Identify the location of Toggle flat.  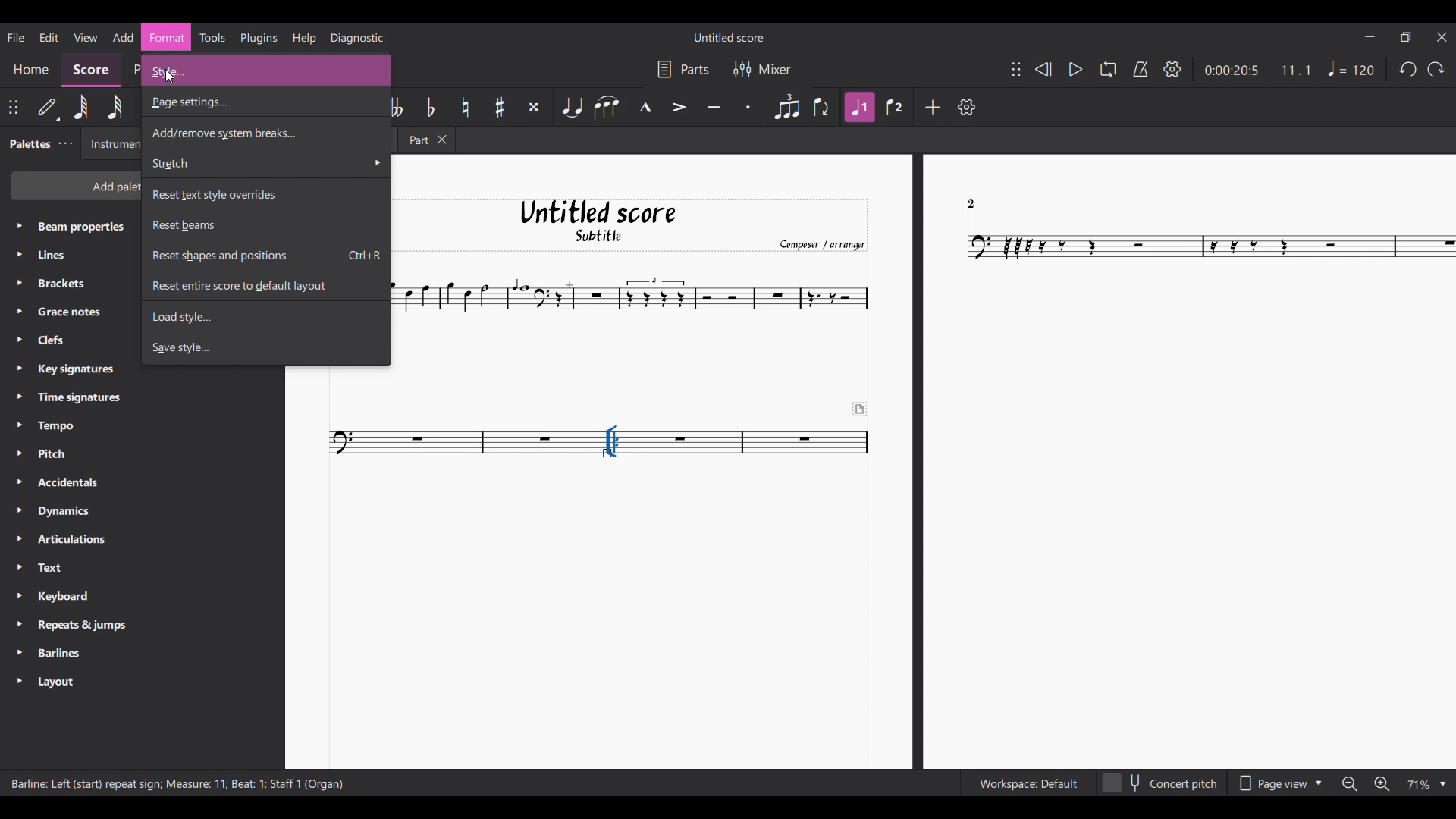
(431, 107).